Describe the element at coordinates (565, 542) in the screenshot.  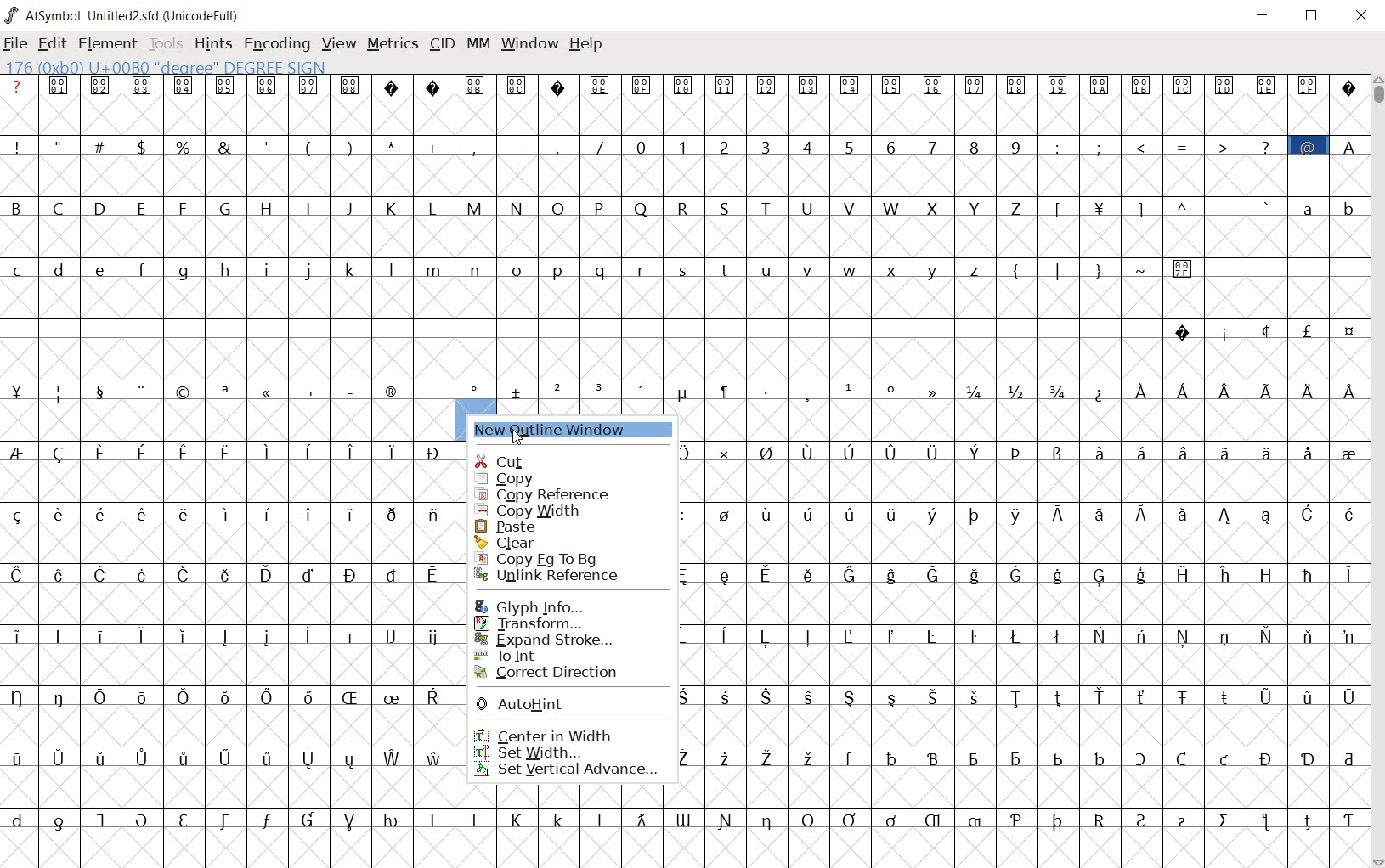
I see `clear` at that location.